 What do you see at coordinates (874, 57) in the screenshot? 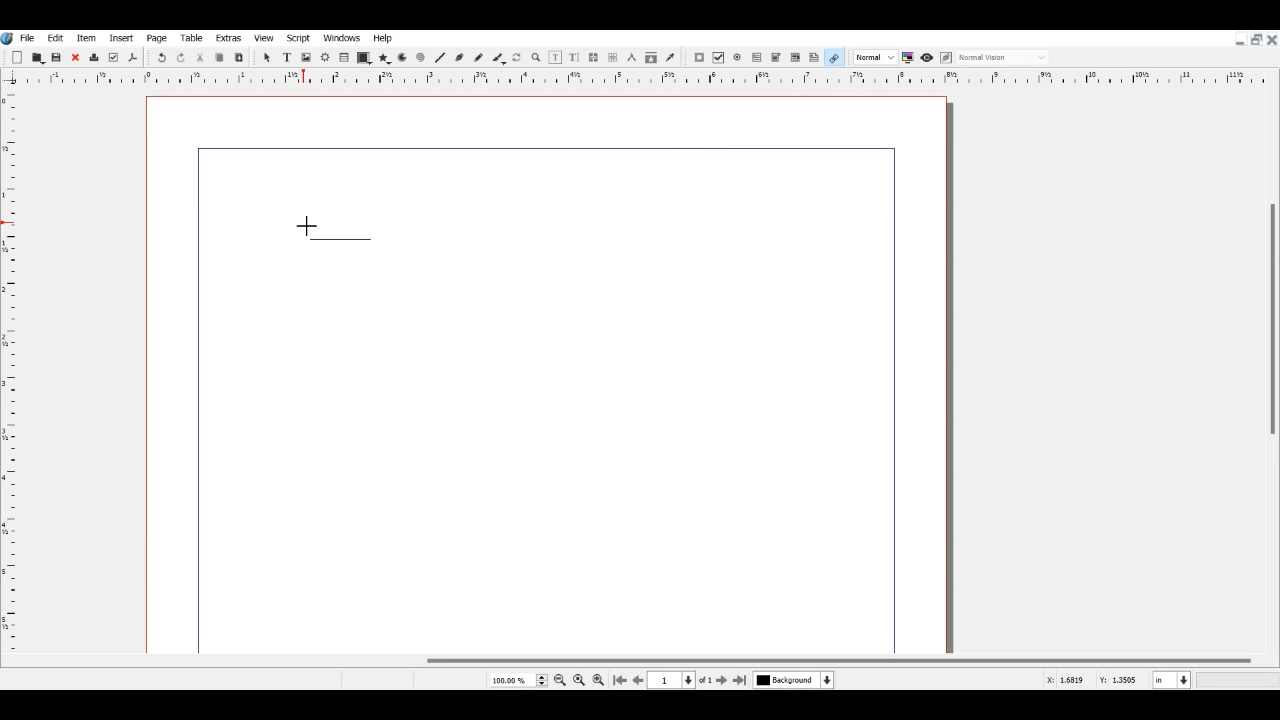
I see `Select the image preview quality` at bounding box center [874, 57].